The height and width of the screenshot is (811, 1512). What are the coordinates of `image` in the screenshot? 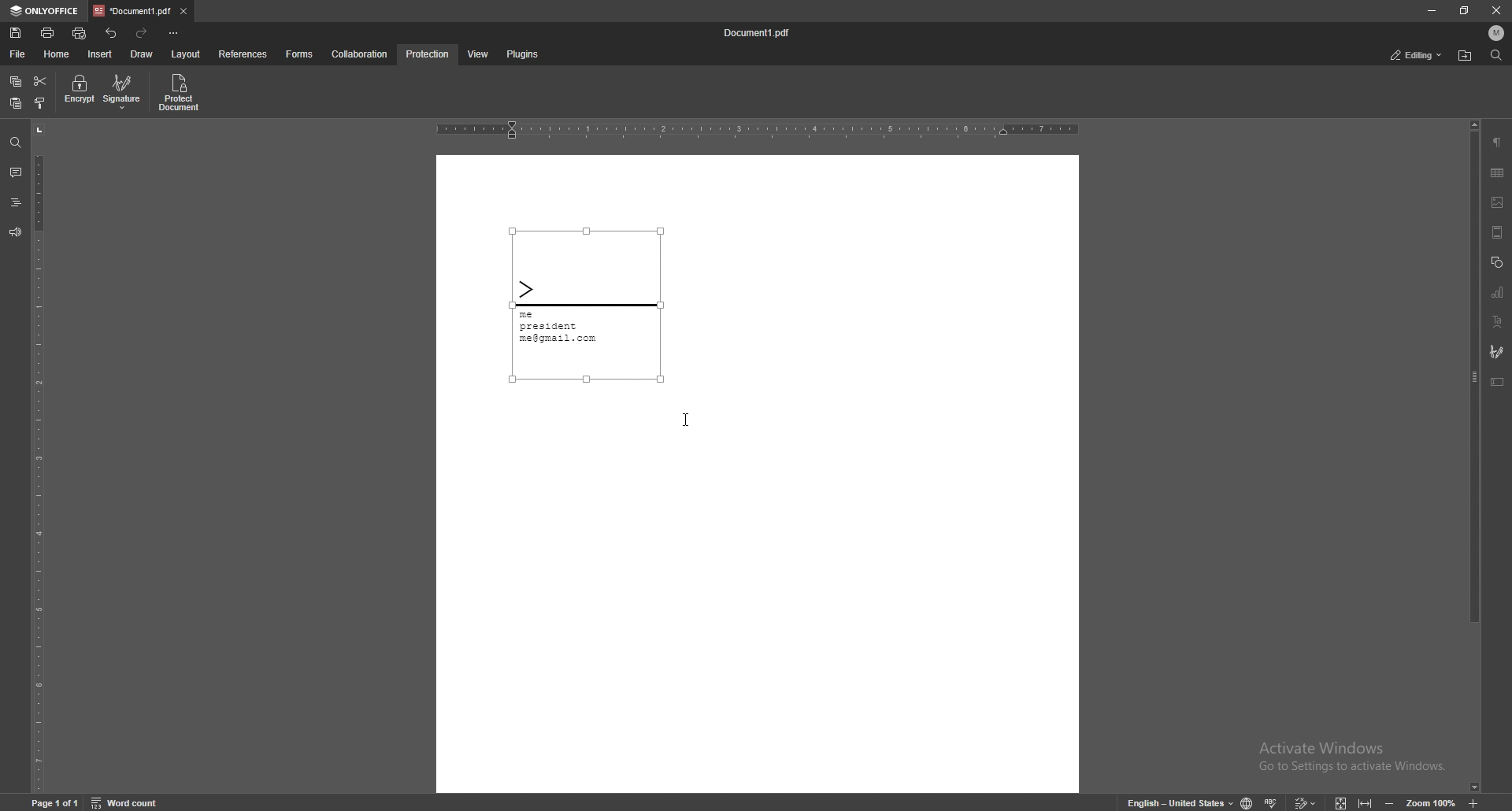 It's located at (1498, 202).